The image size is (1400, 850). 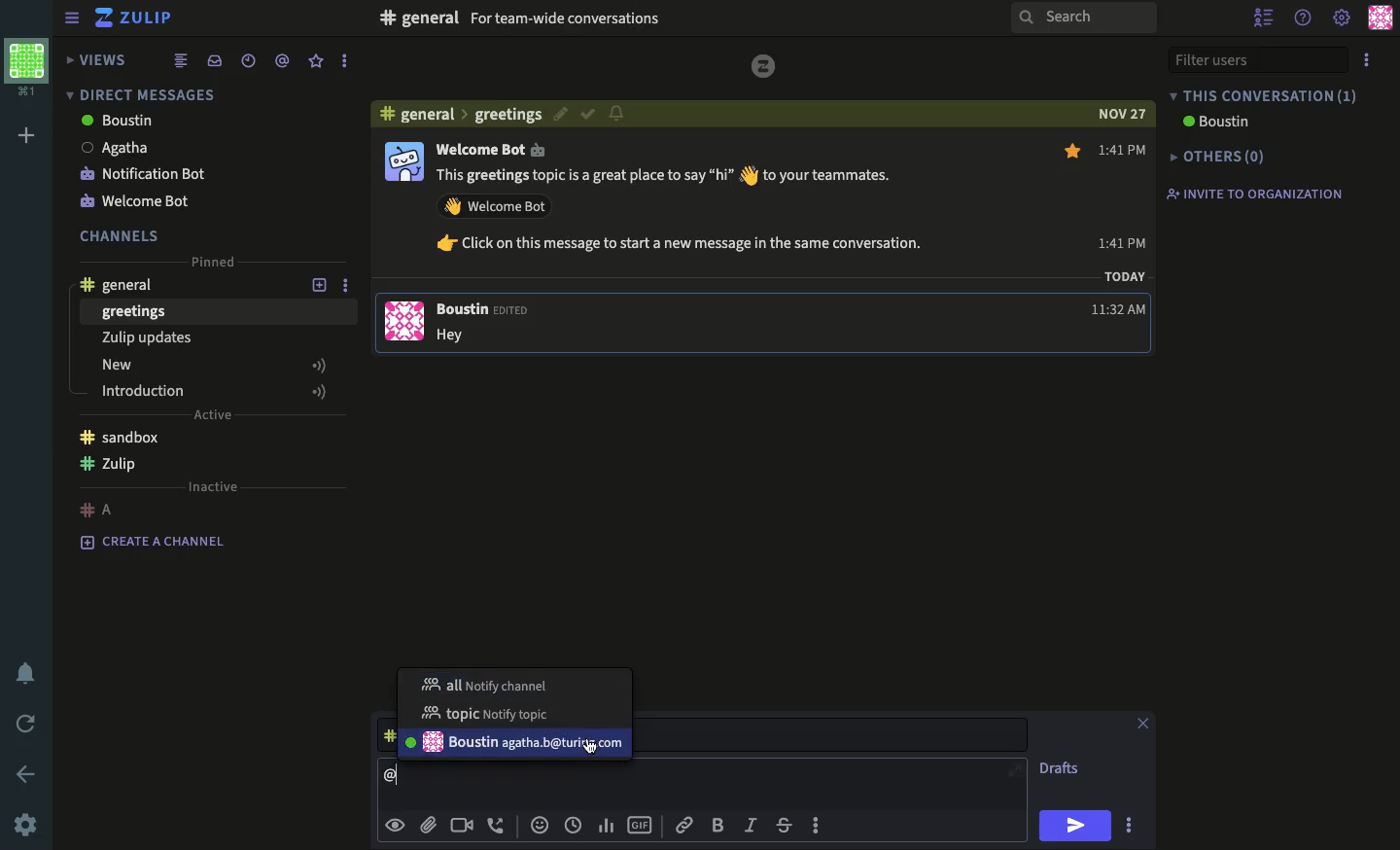 What do you see at coordinates (609, 826) in the screenshot?
I see `chart` at bounding box center [609, 826].